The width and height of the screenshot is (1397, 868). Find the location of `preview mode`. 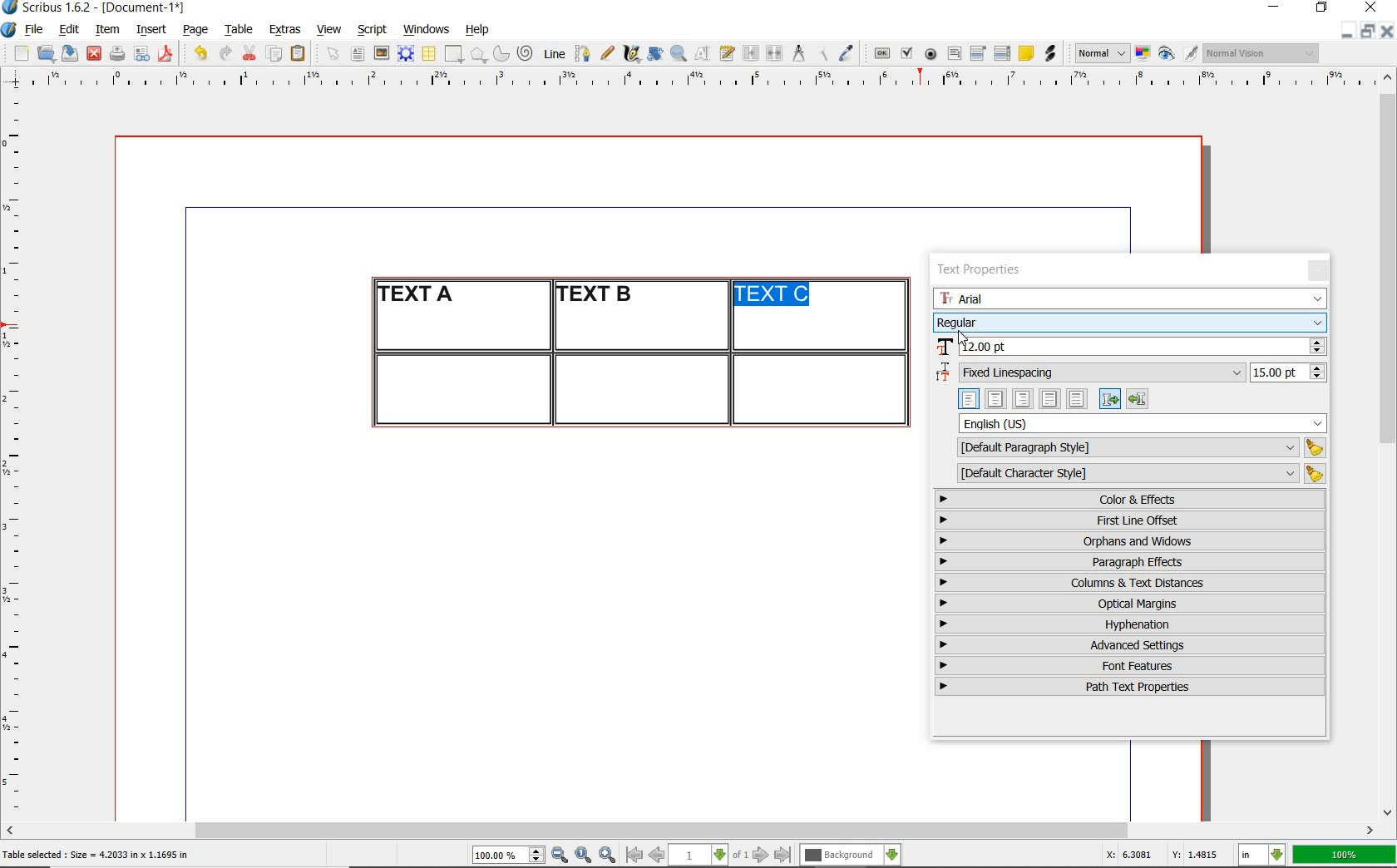

preview mode is located at coordinates (1178, 54).